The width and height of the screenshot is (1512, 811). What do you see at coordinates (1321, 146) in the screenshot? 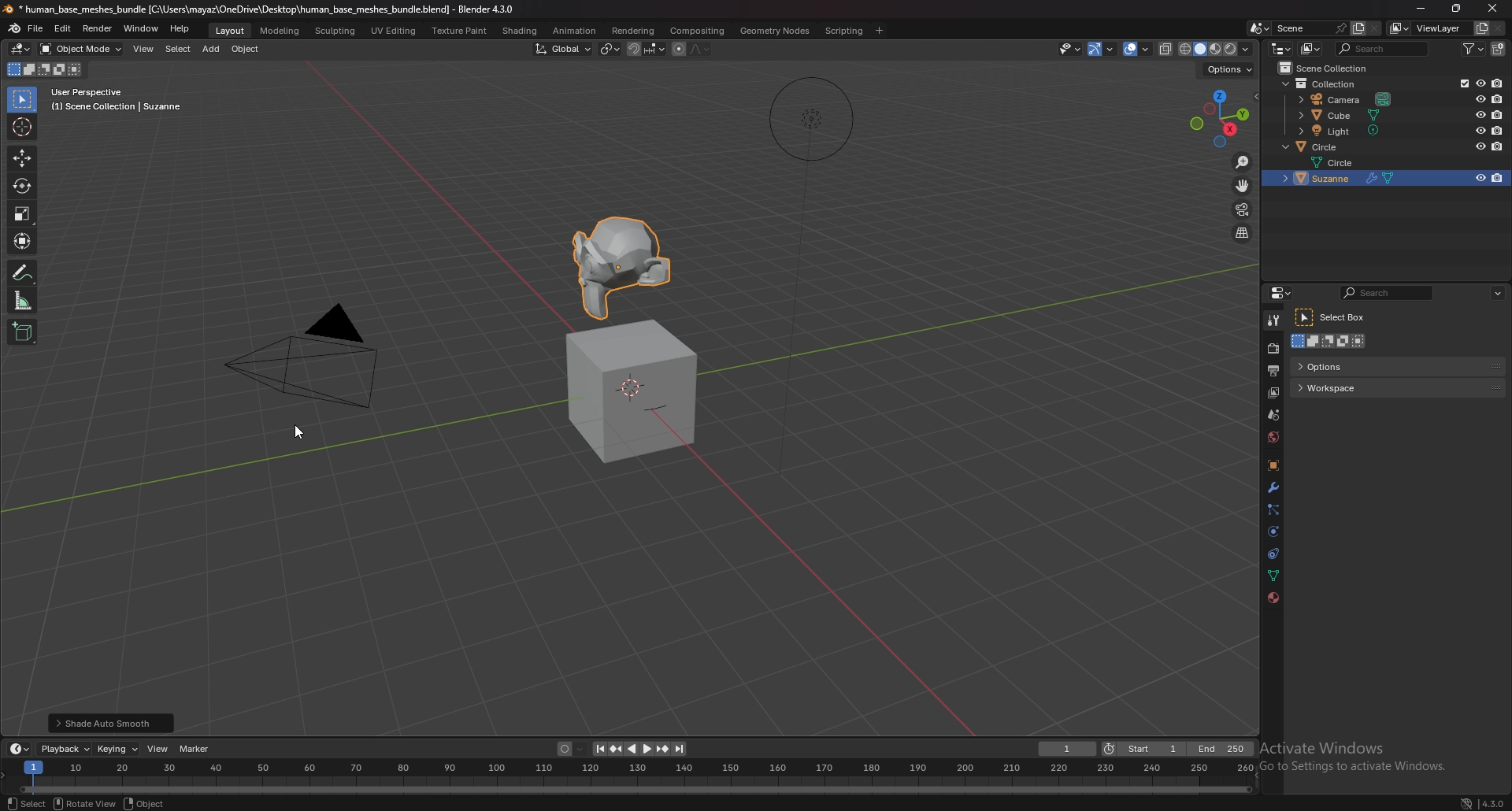
I see `circle` at bounding box center [1321, 146].